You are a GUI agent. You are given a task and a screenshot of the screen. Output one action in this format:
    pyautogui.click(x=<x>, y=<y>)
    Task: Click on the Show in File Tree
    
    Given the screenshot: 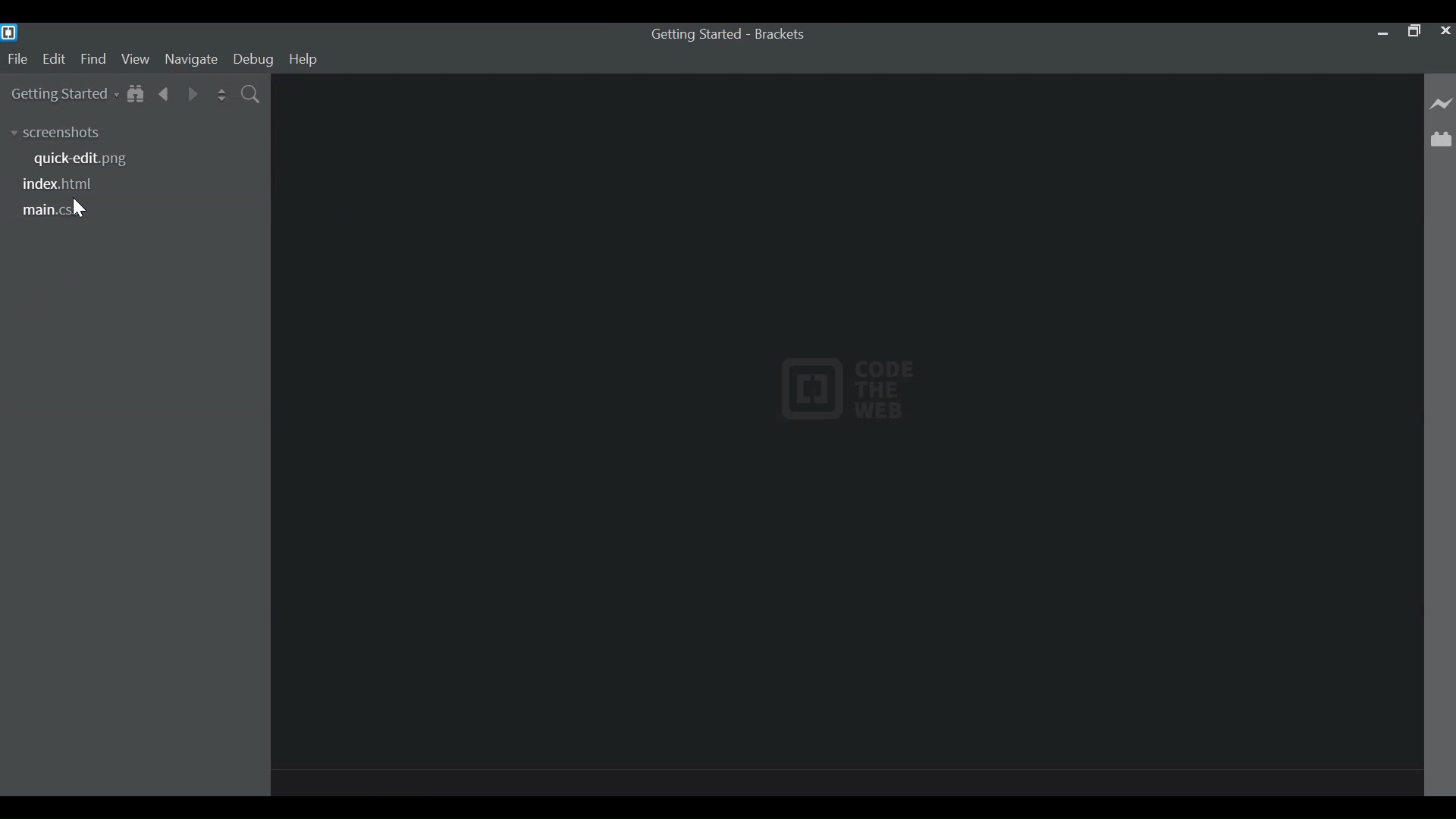 What is the action you would take?
    pyautogui.click(x=137, y=93)
    